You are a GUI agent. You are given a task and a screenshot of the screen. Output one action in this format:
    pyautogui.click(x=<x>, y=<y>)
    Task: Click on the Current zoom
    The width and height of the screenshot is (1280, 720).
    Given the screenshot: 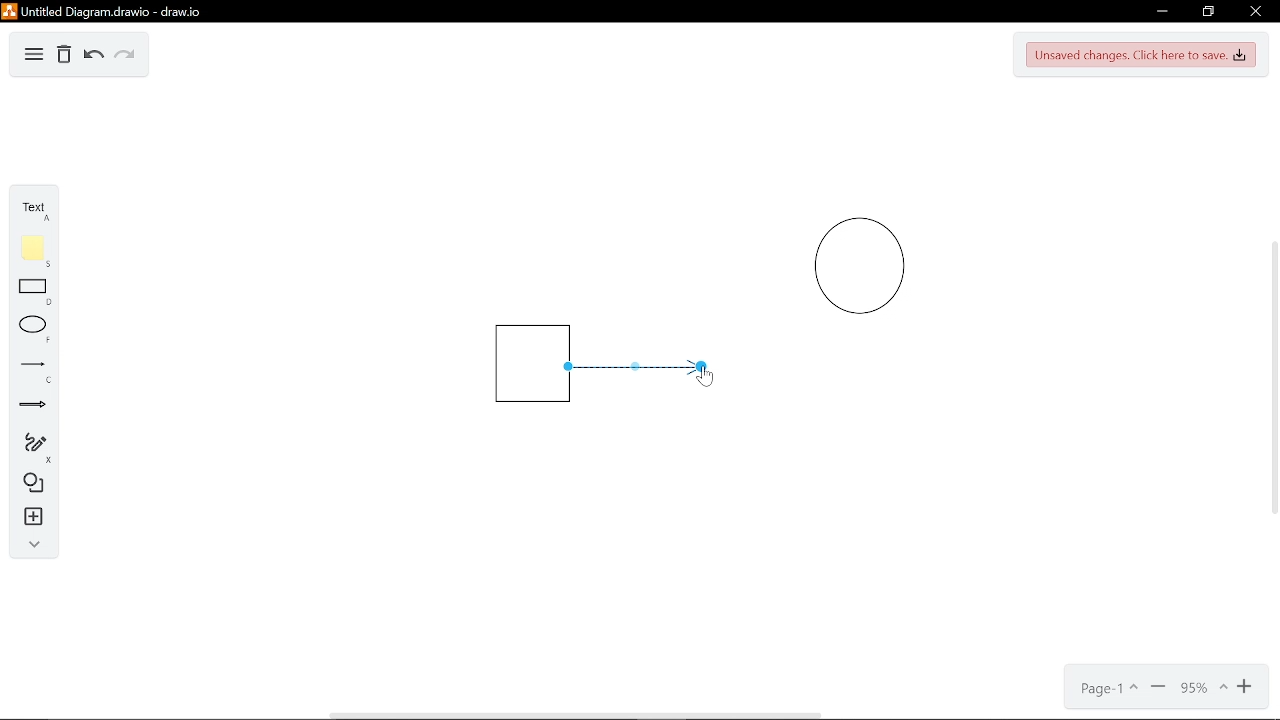 What is the action you would take?
    pyautogui.click(x=1201, y=686)
    